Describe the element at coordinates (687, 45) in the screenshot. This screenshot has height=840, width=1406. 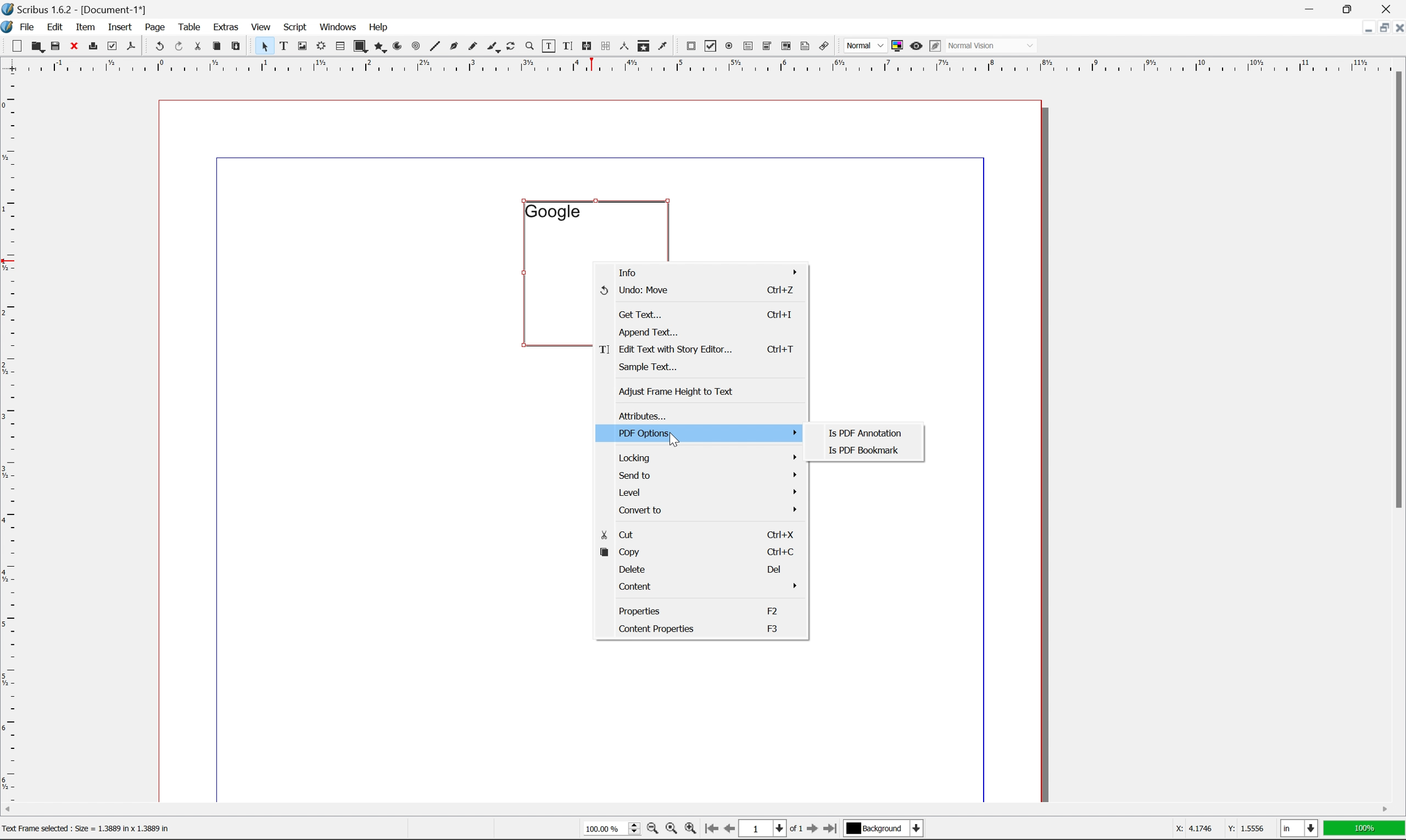
I see `pdf push button` at that location.